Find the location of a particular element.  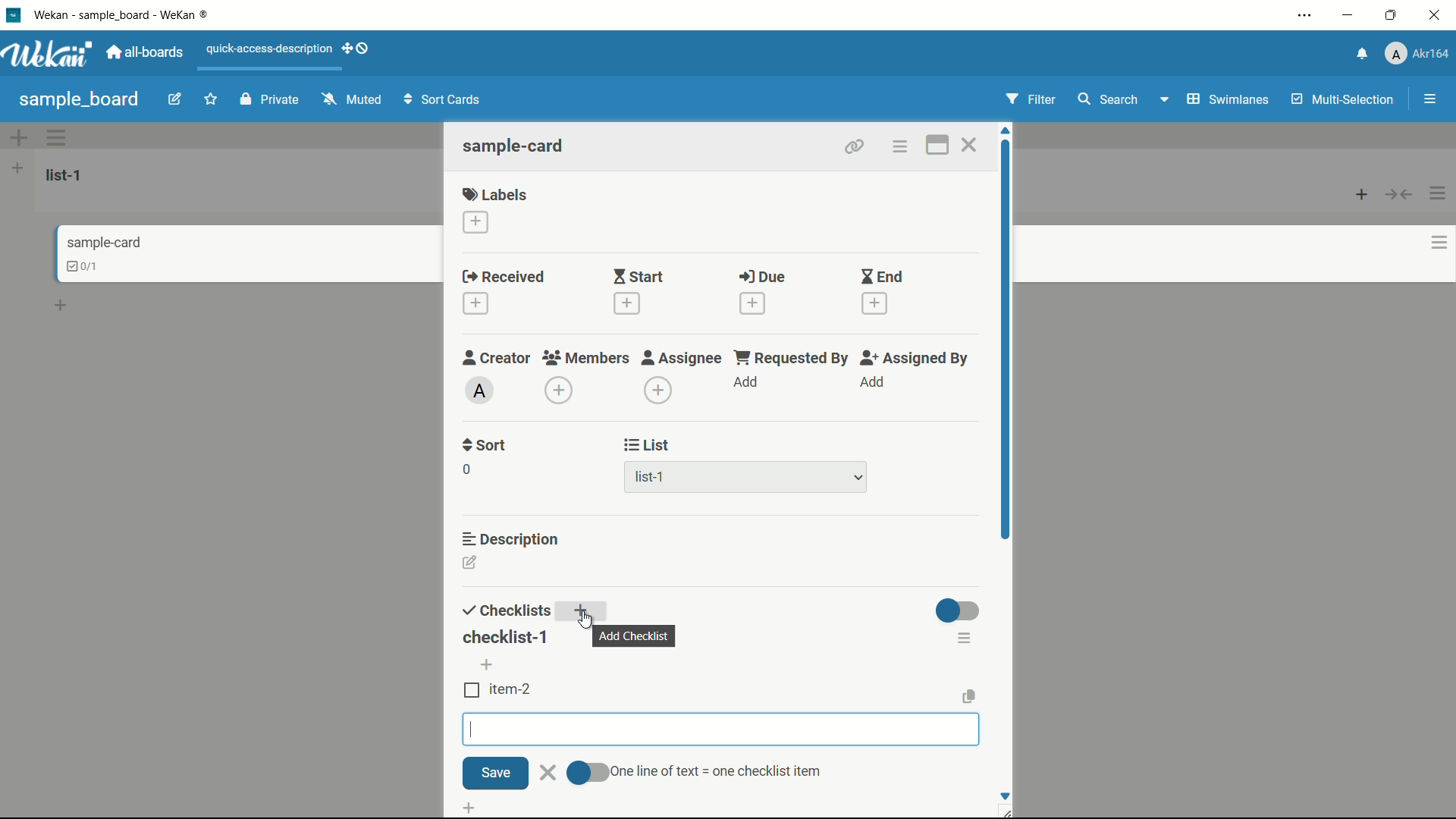

filter is located at coordinates (1031, 100).